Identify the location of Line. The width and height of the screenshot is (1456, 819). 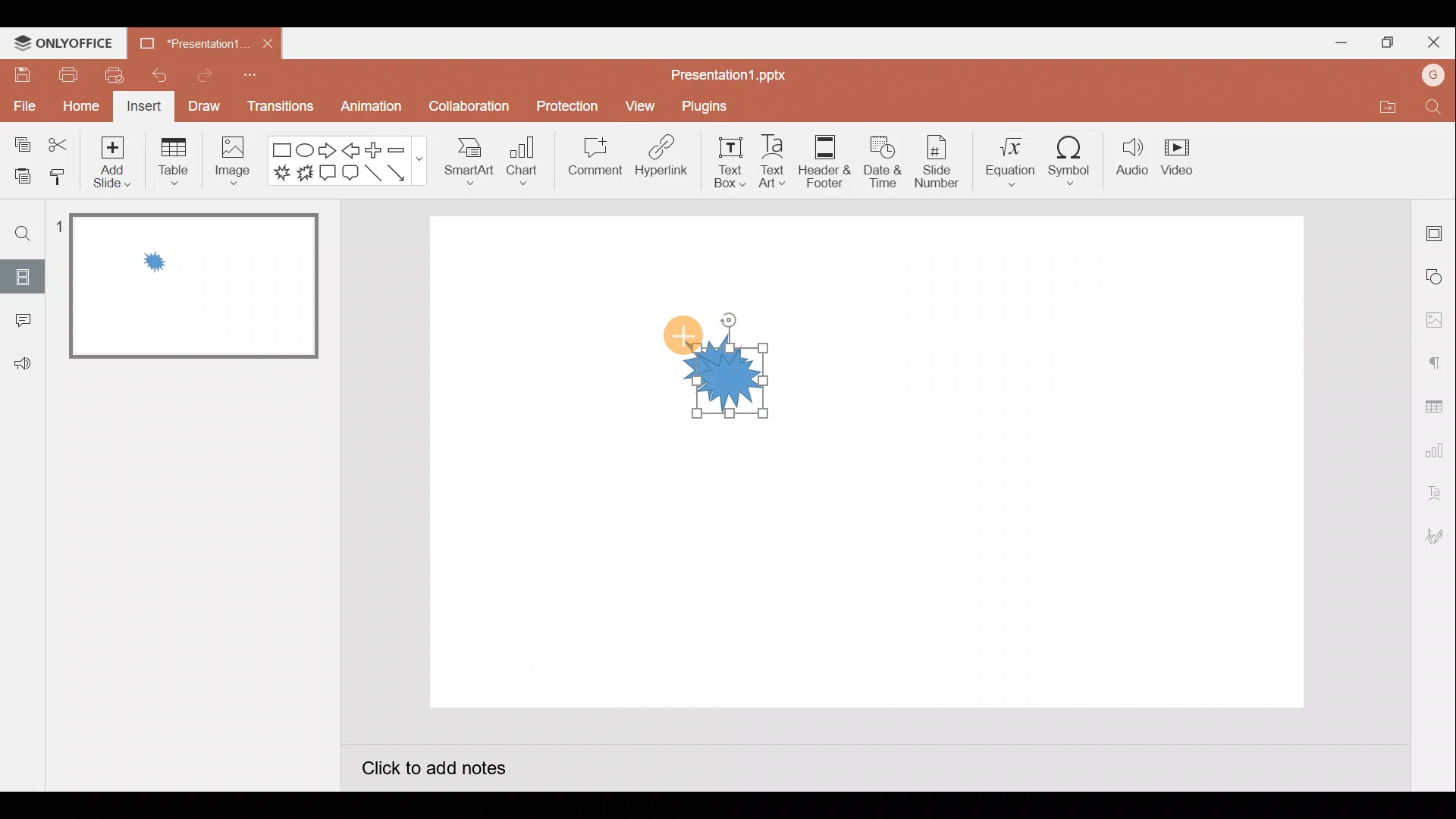
(372, 175).